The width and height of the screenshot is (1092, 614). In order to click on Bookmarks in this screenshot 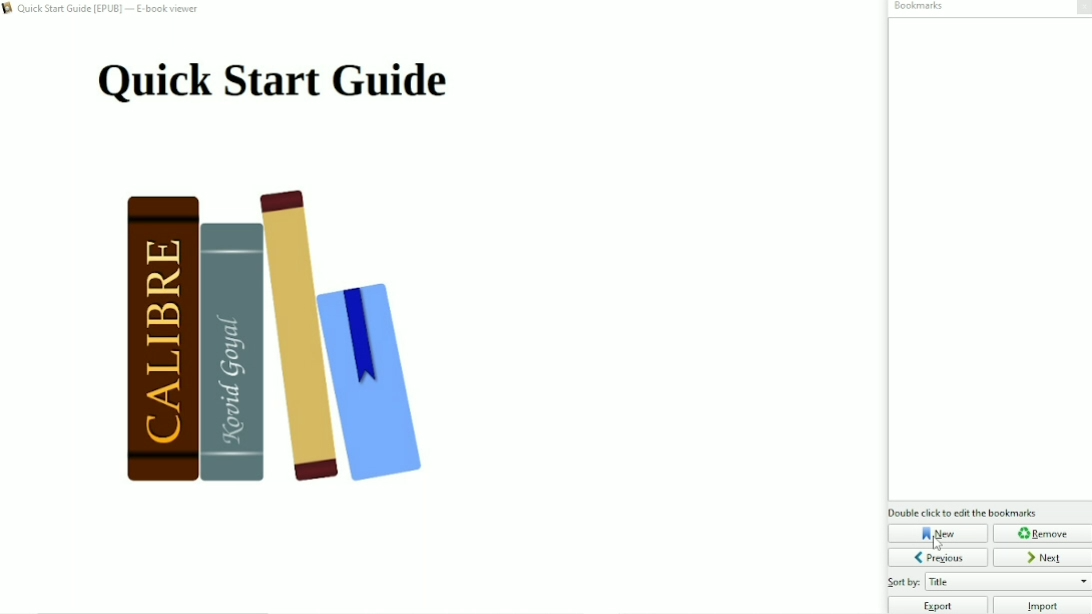, I will do `click(917, 7)`.